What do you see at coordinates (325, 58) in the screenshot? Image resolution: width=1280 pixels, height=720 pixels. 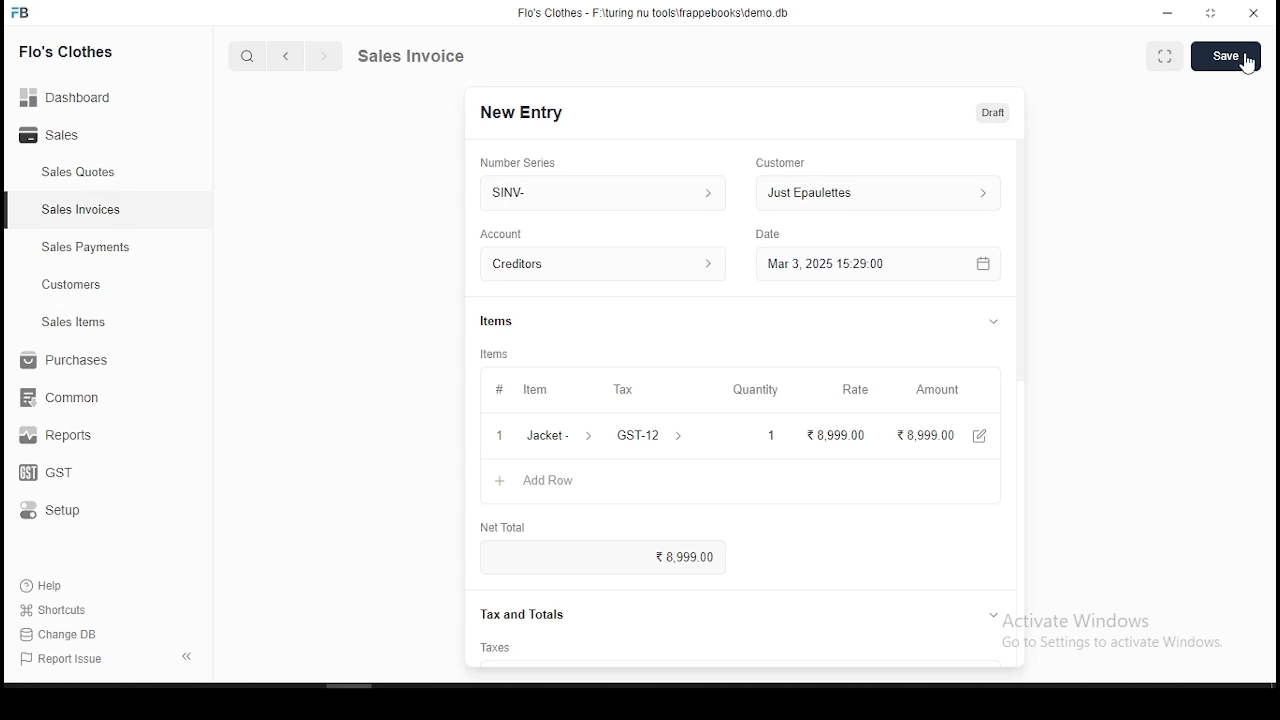 I see `next` at bounding box center [325, 58].